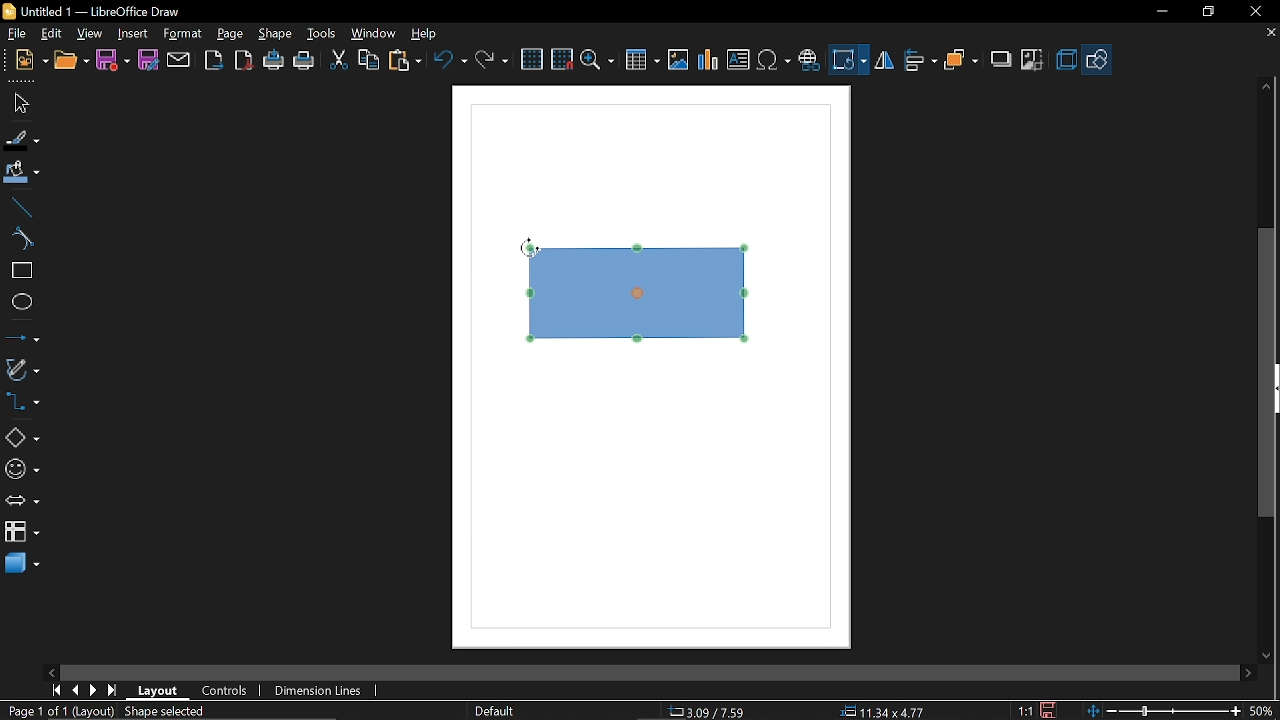 The width and height of the screenshot is (1280, 720). I want to click on flip, so click(884, 62).